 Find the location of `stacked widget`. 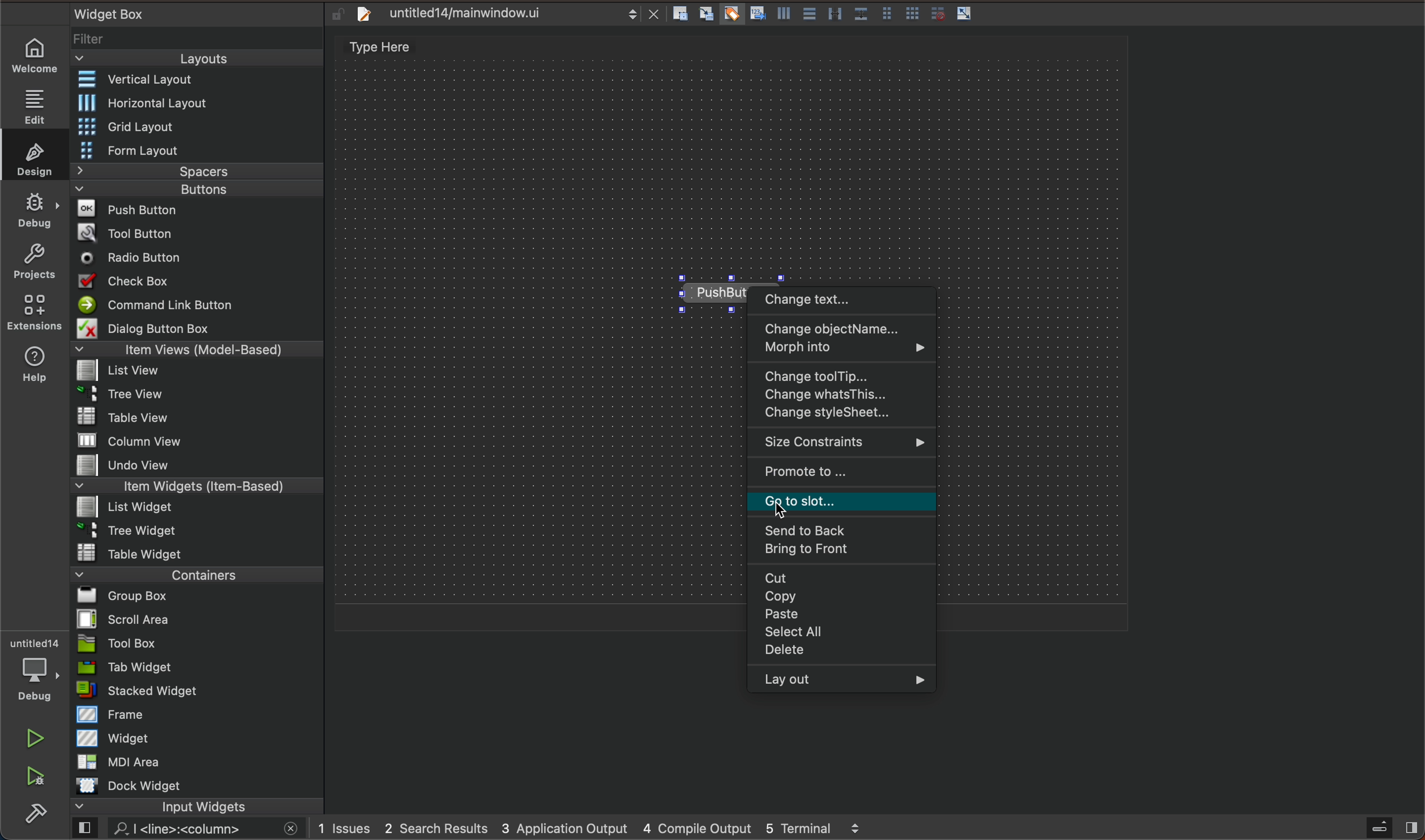

stacked widget is located at coordinates (200, 690).